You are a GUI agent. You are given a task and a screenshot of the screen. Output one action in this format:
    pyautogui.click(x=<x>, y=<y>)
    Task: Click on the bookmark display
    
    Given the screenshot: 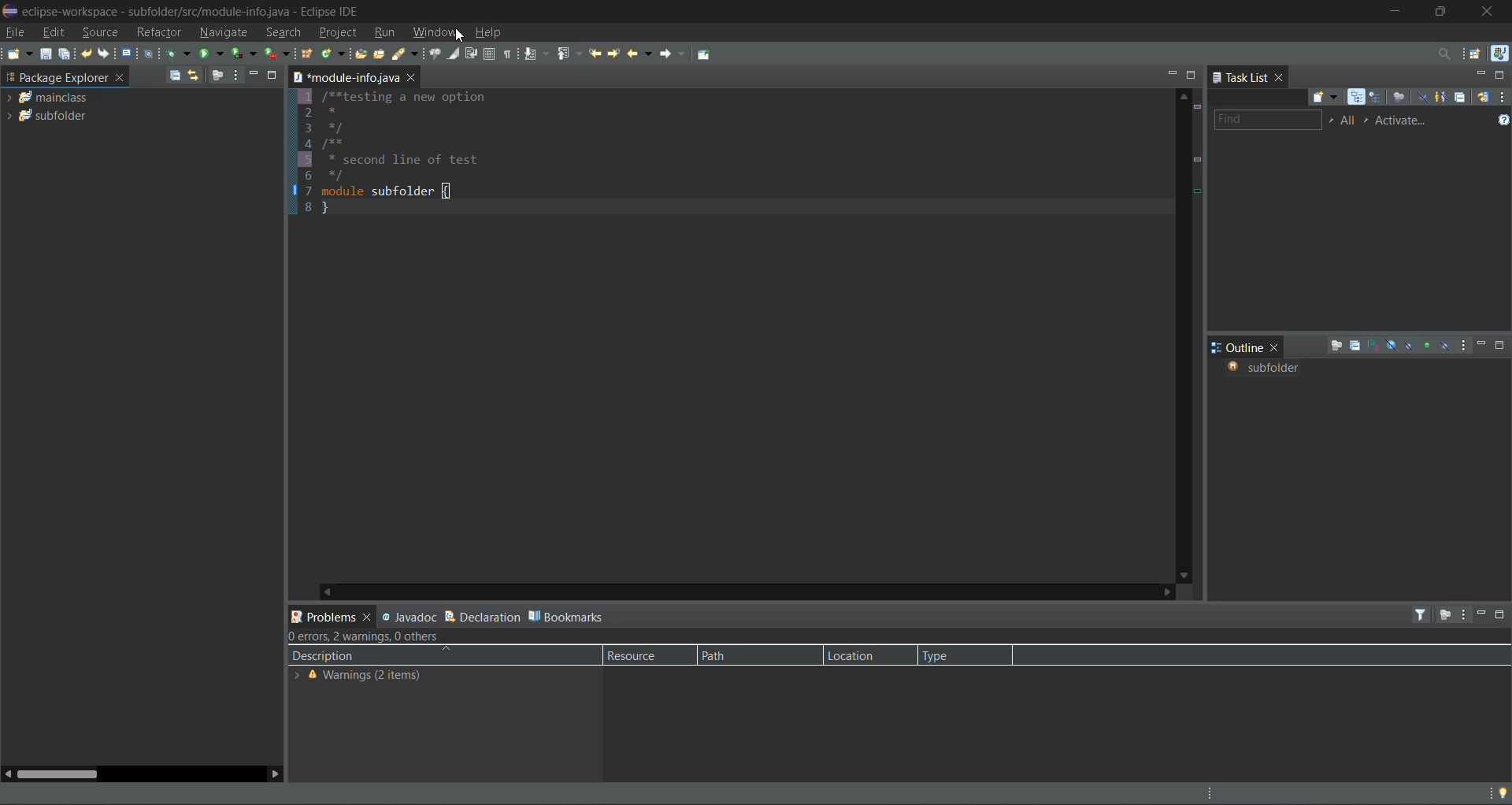 What is the action you would take?
    pyautogui.click(x=291, y=192)
    